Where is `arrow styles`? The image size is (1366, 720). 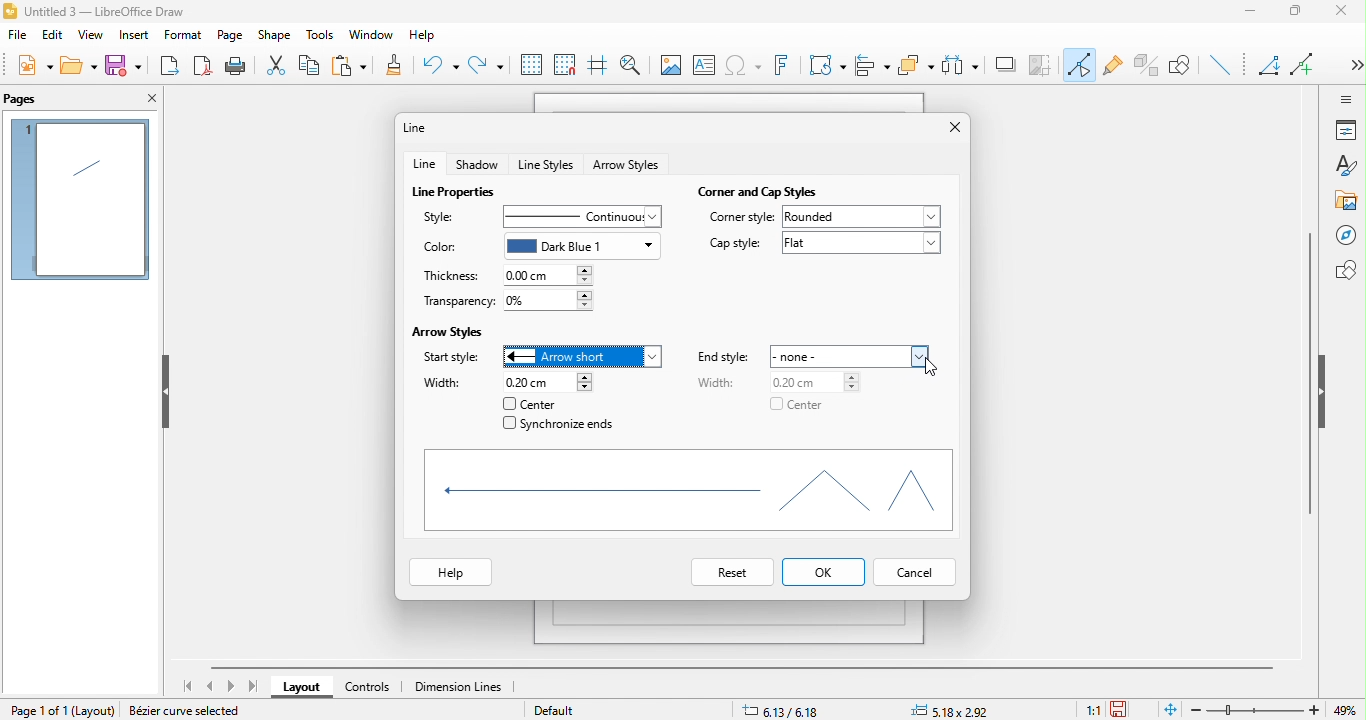
arrow styles is located at coordinates (452, 330).